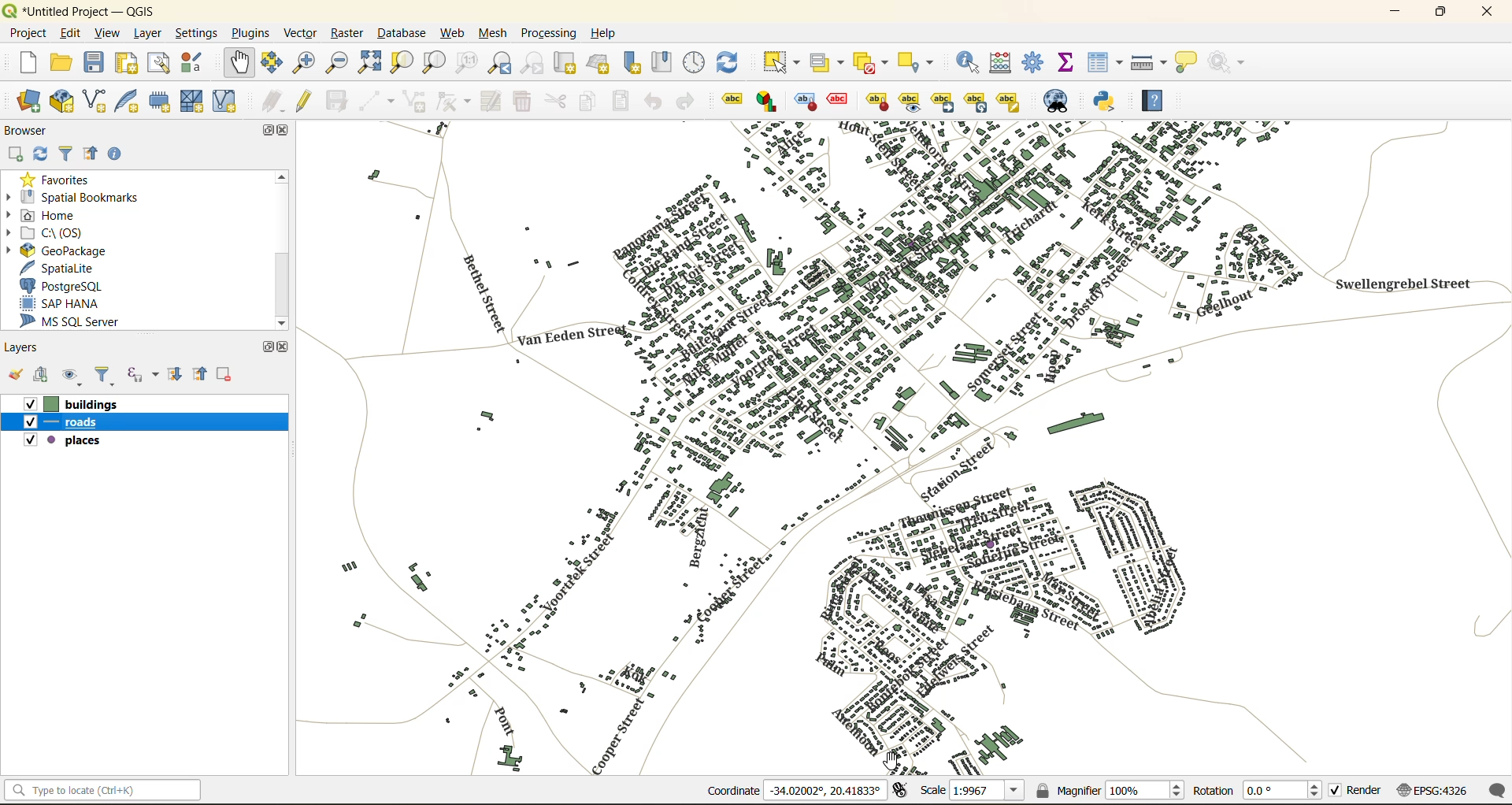 This screenshot has width=1512, height=805. I want to click on enable properties, so click(117, 154).